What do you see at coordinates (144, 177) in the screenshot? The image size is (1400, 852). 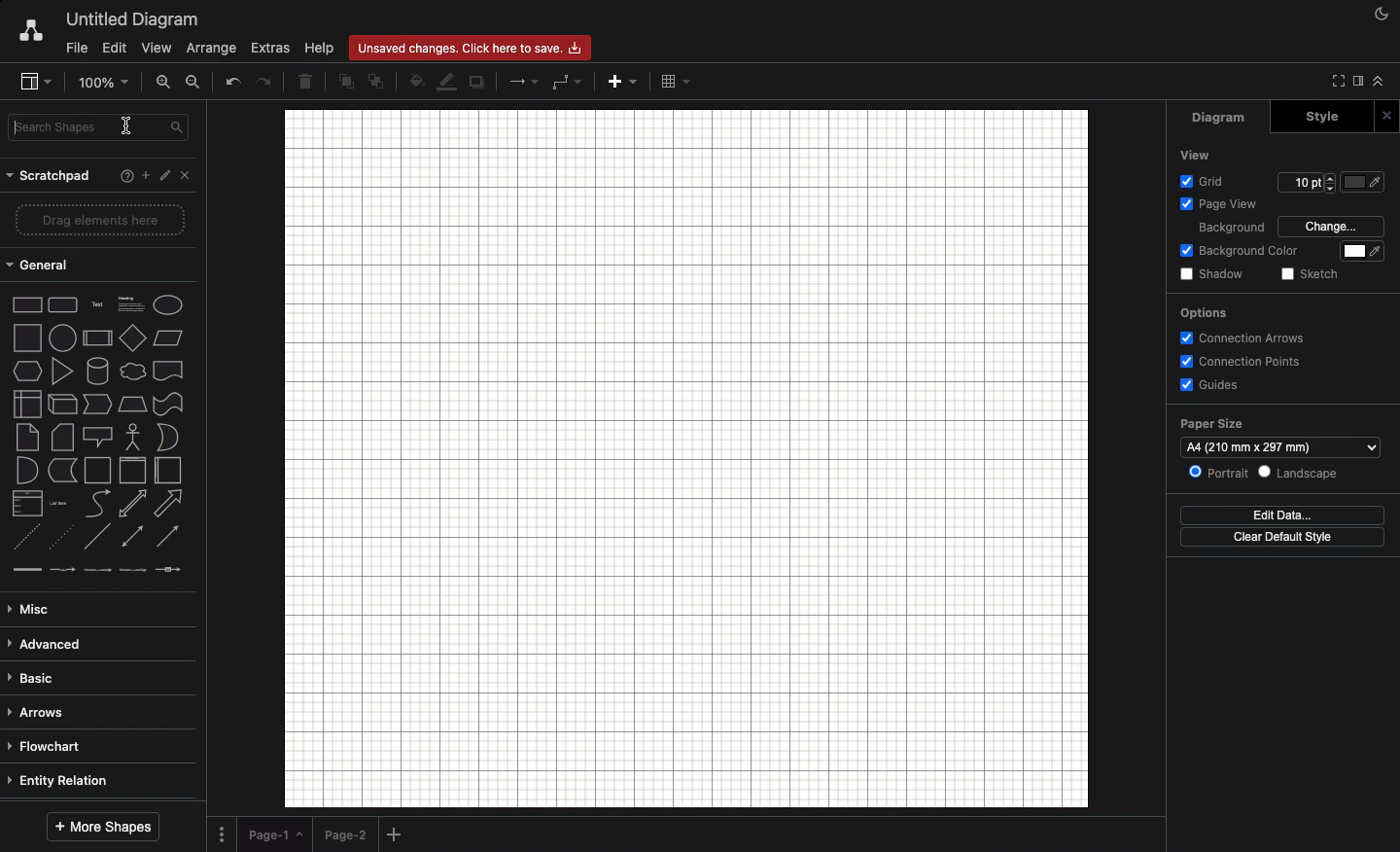 I see `Add` at bounding box center [144, 177].